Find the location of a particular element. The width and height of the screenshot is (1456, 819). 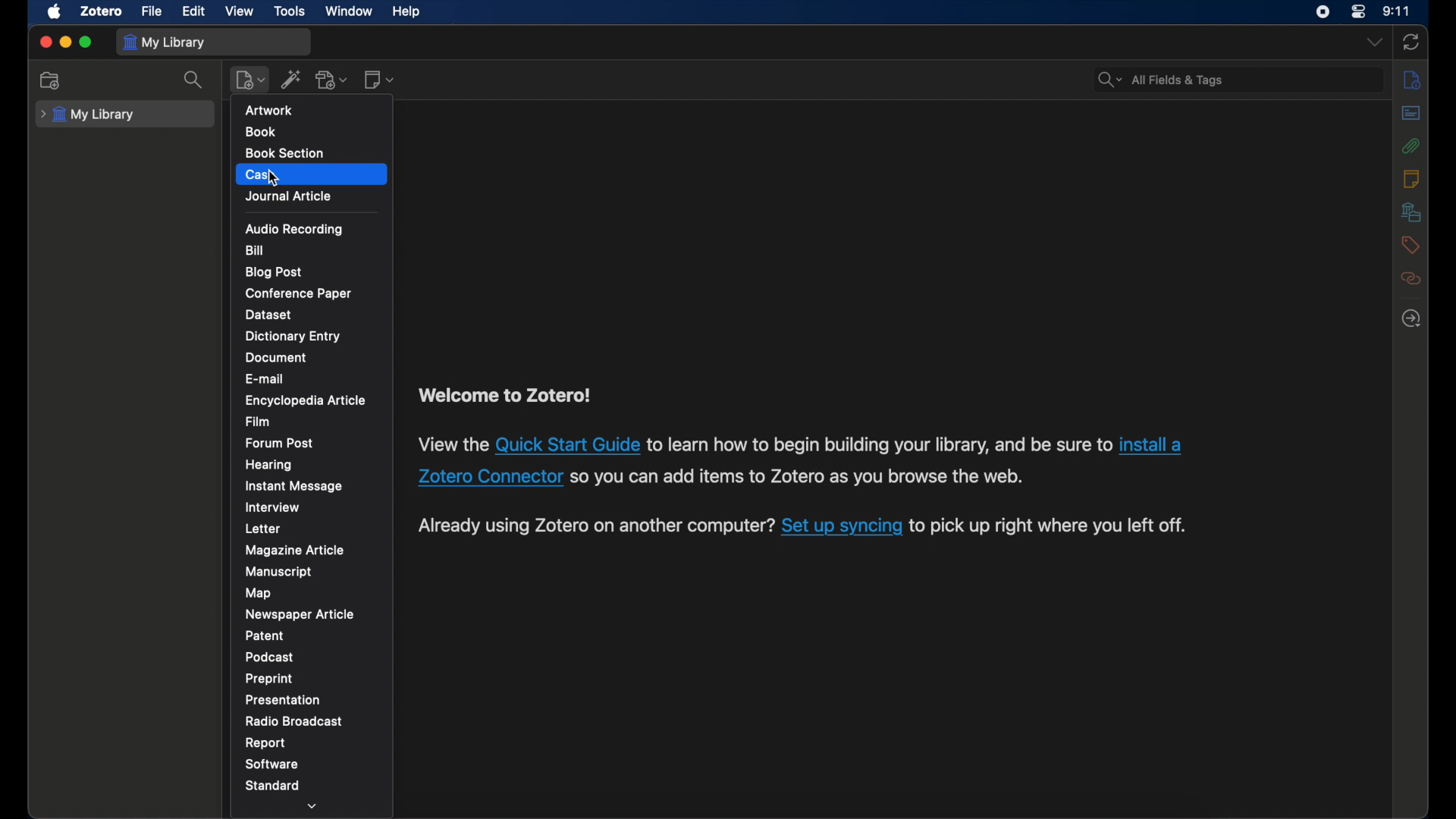

info is located at coordinates (1411, 80).